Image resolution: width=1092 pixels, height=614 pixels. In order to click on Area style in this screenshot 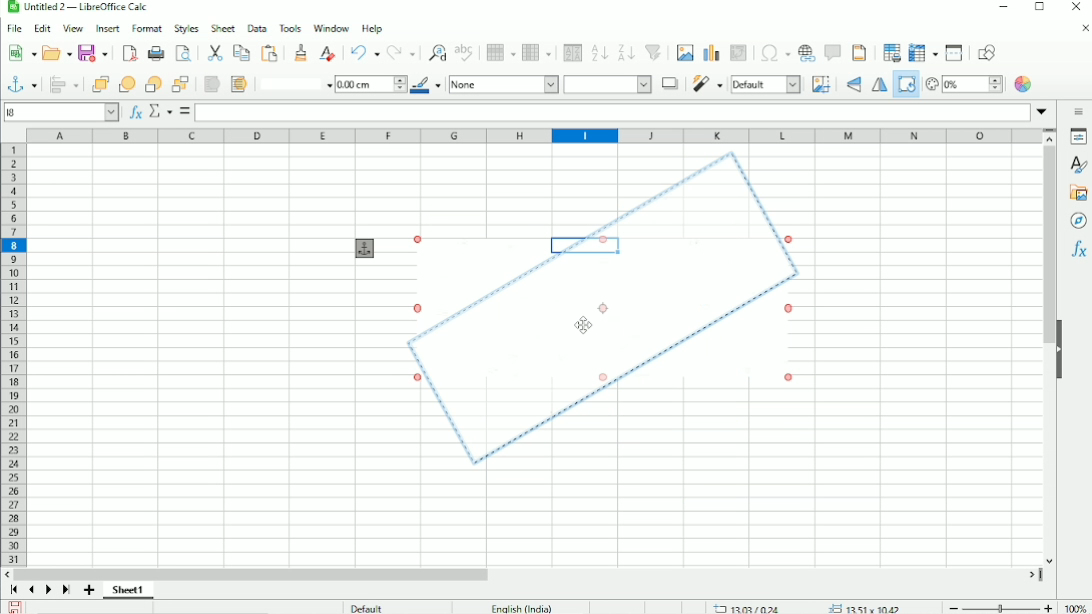, I will do `click(608, 84)`.